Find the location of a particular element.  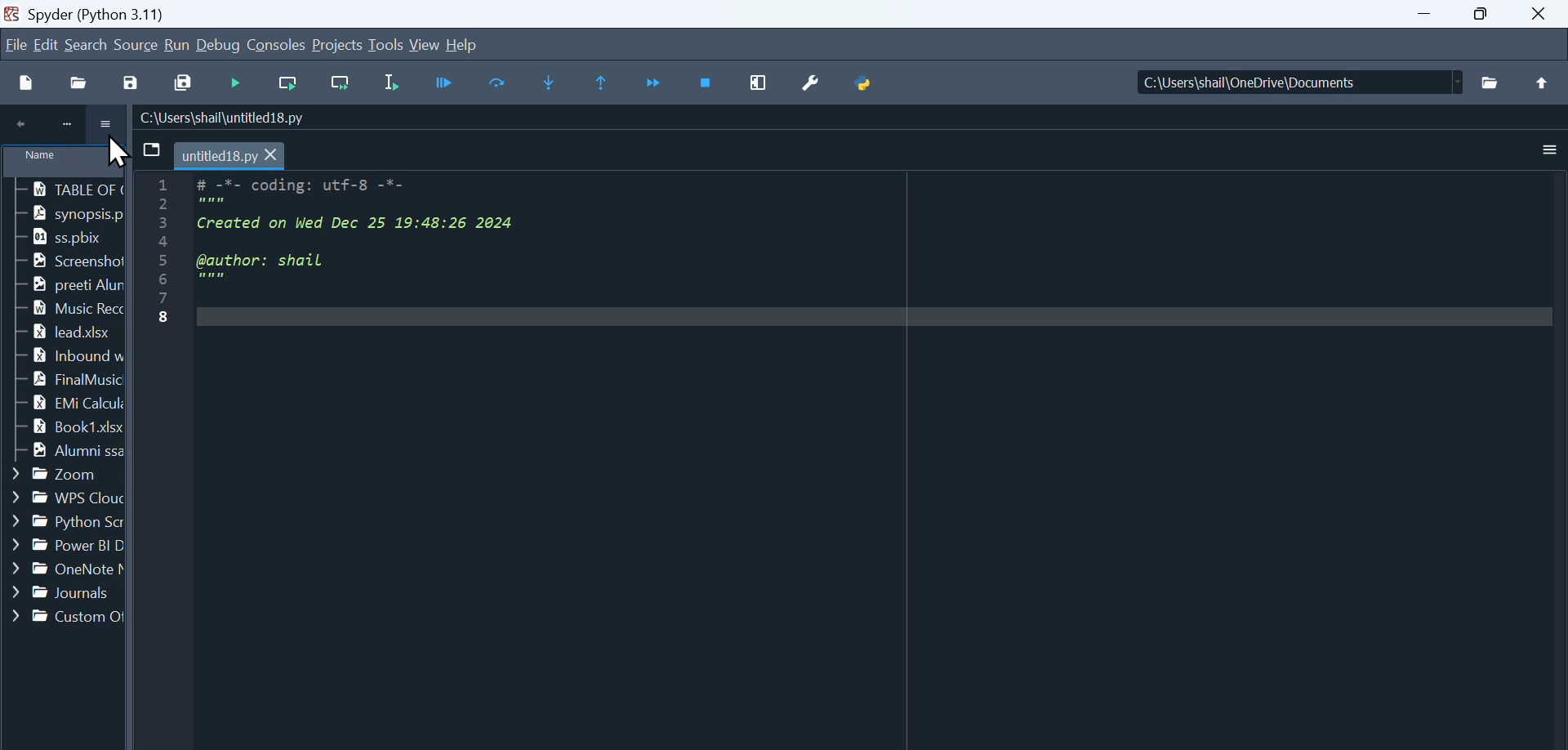

untitled18.py is located at coordinates (232, 154).